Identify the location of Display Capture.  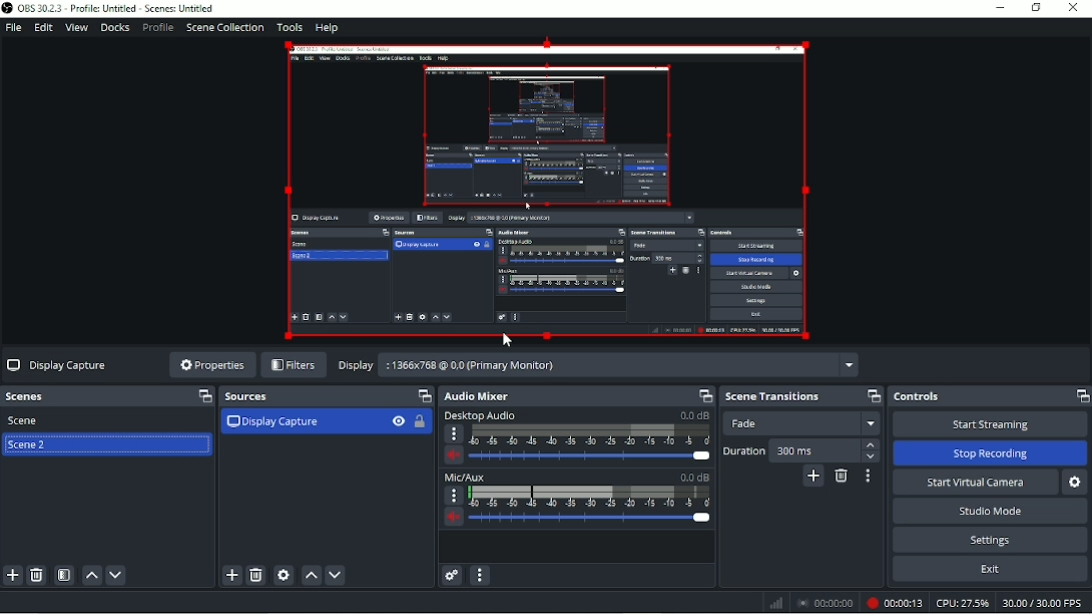
(58, 364).